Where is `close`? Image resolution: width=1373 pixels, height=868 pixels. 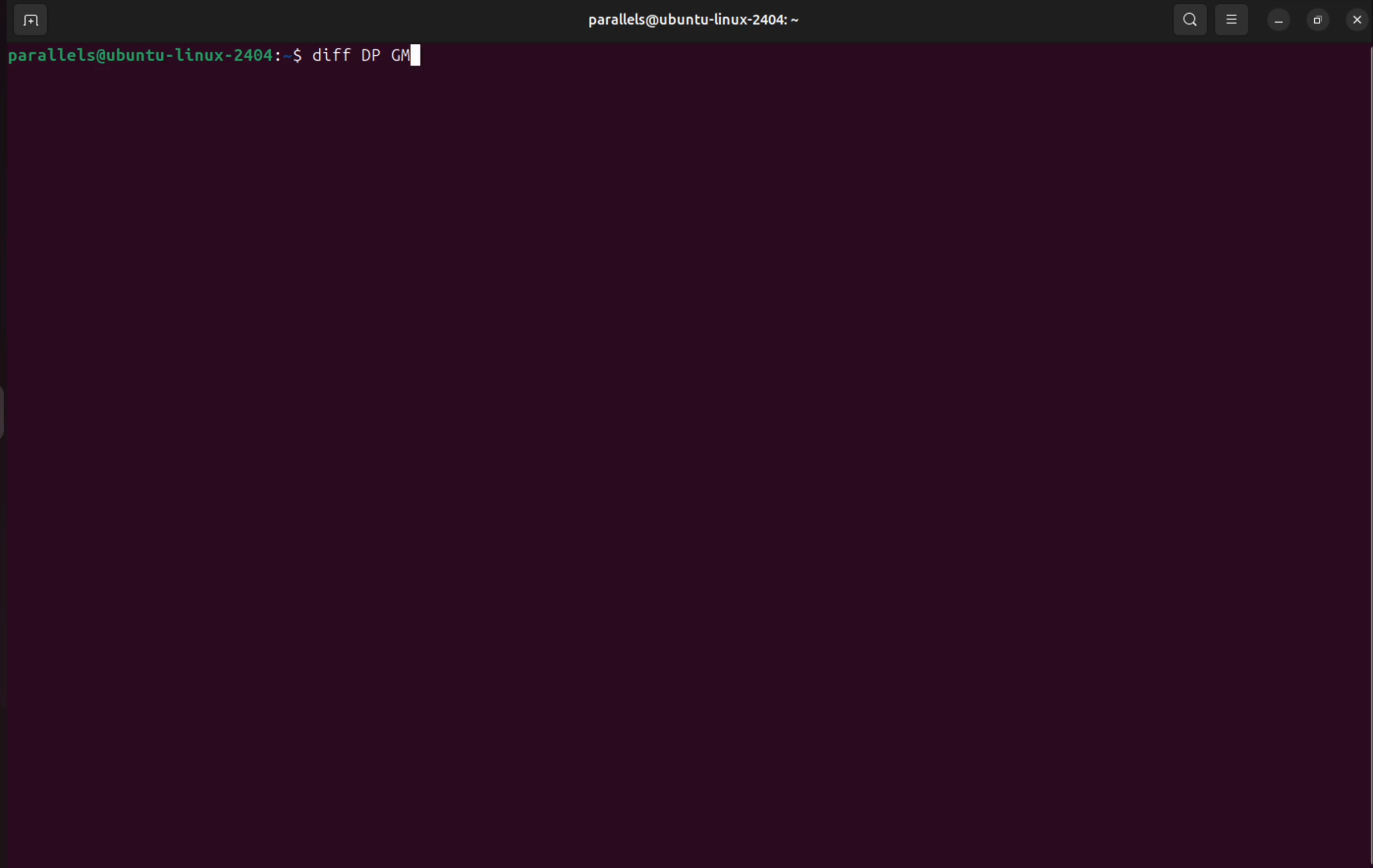 close is located at coordinates (1357, 19).